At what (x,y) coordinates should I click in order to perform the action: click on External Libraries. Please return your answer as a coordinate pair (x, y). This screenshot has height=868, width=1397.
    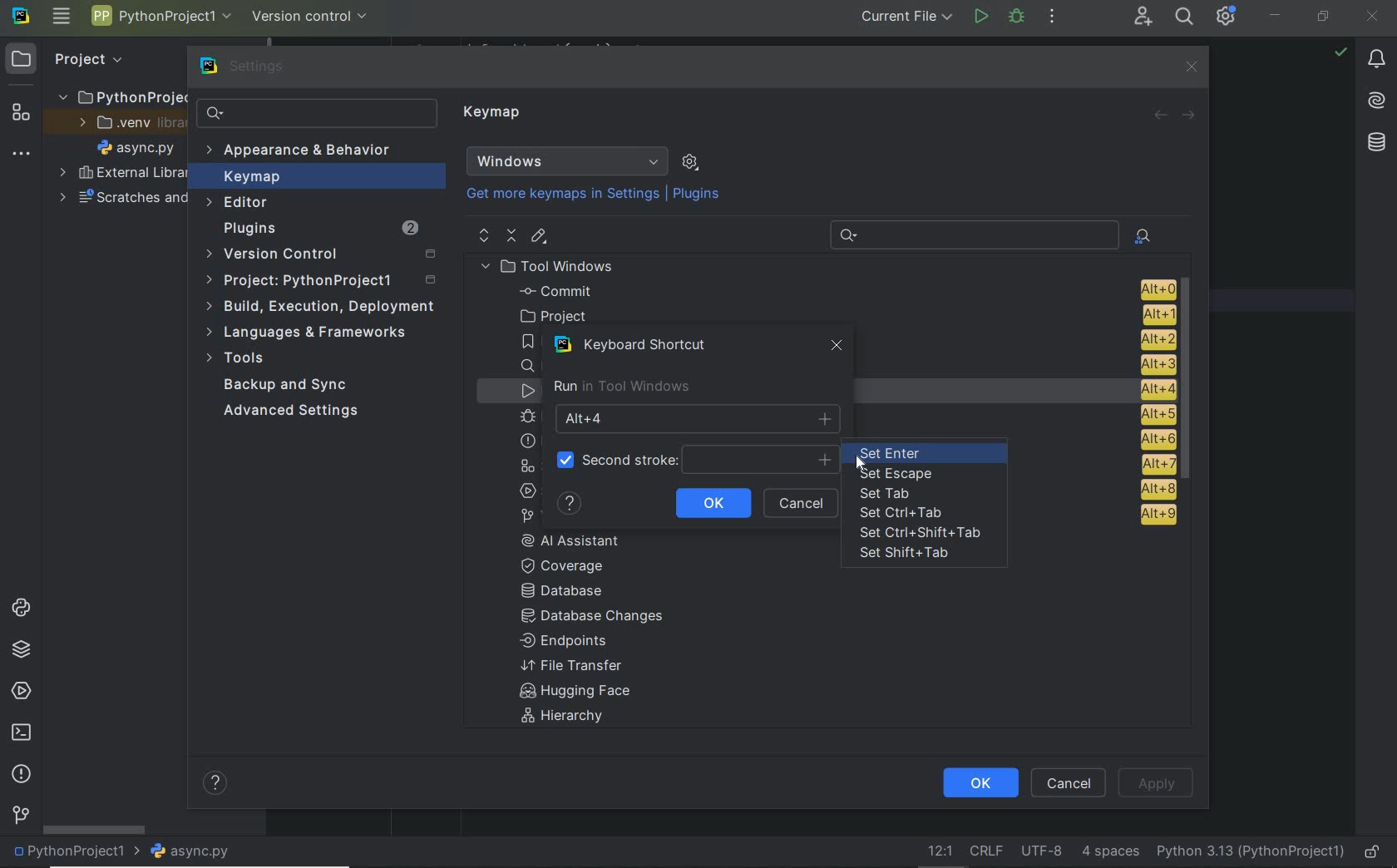
    Looking at the image, I should click on (119, 174).